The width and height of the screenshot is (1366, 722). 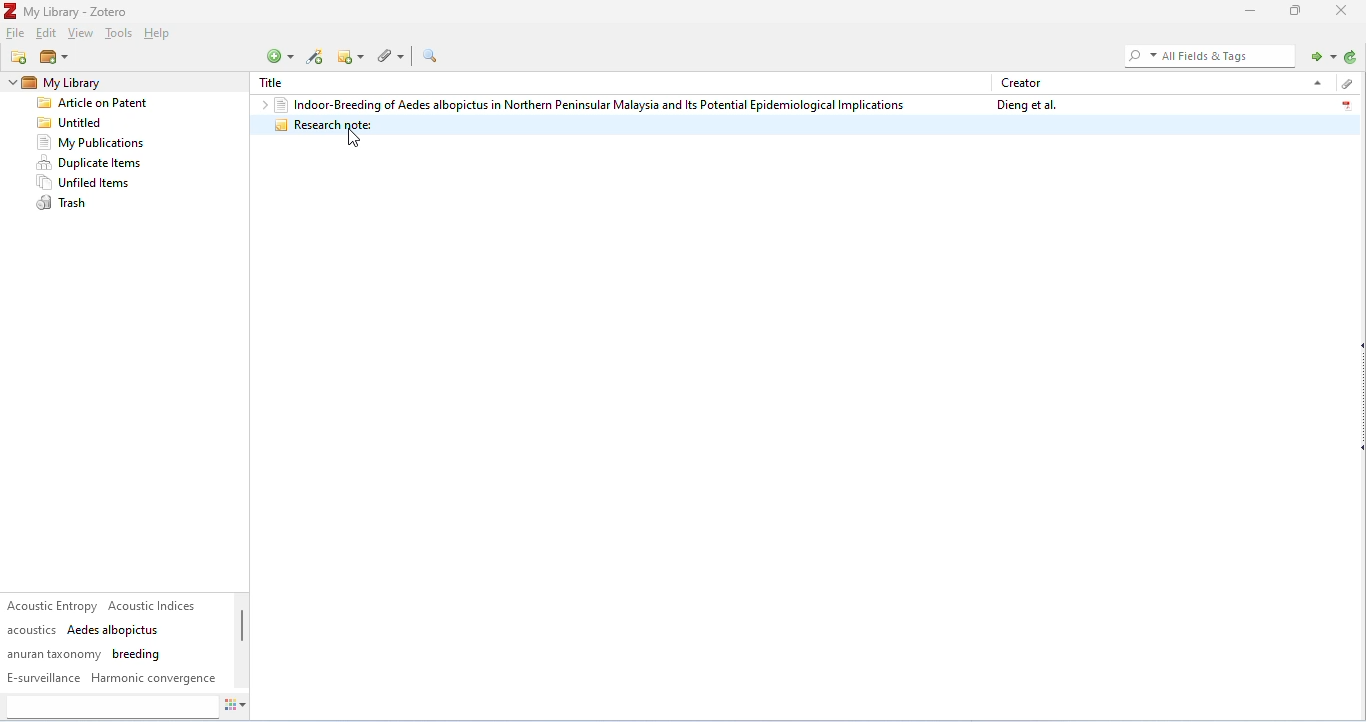 I want to click on view, so click(x=81, y=34).